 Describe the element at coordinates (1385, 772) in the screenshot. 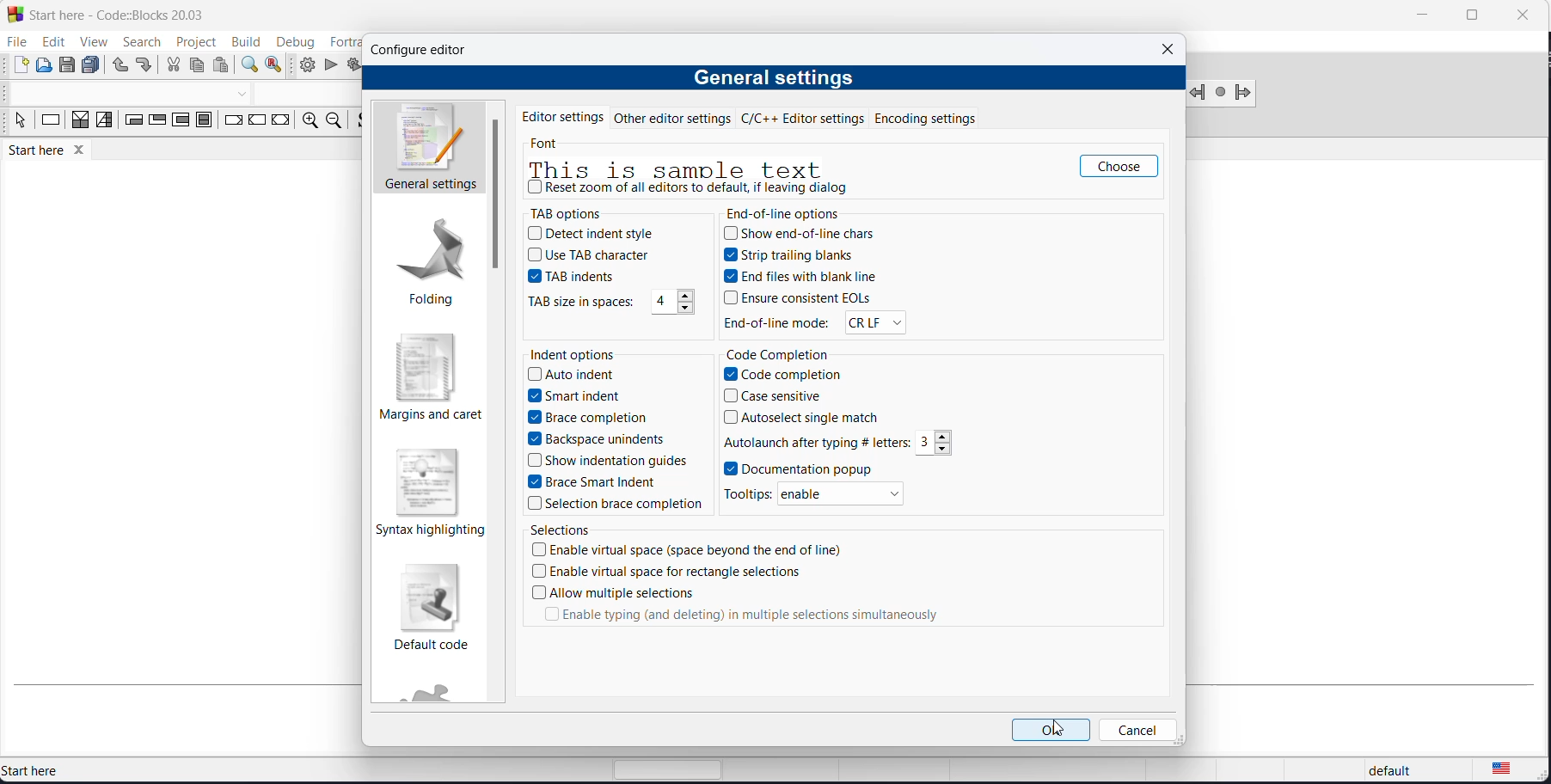

I see `default` at that location.